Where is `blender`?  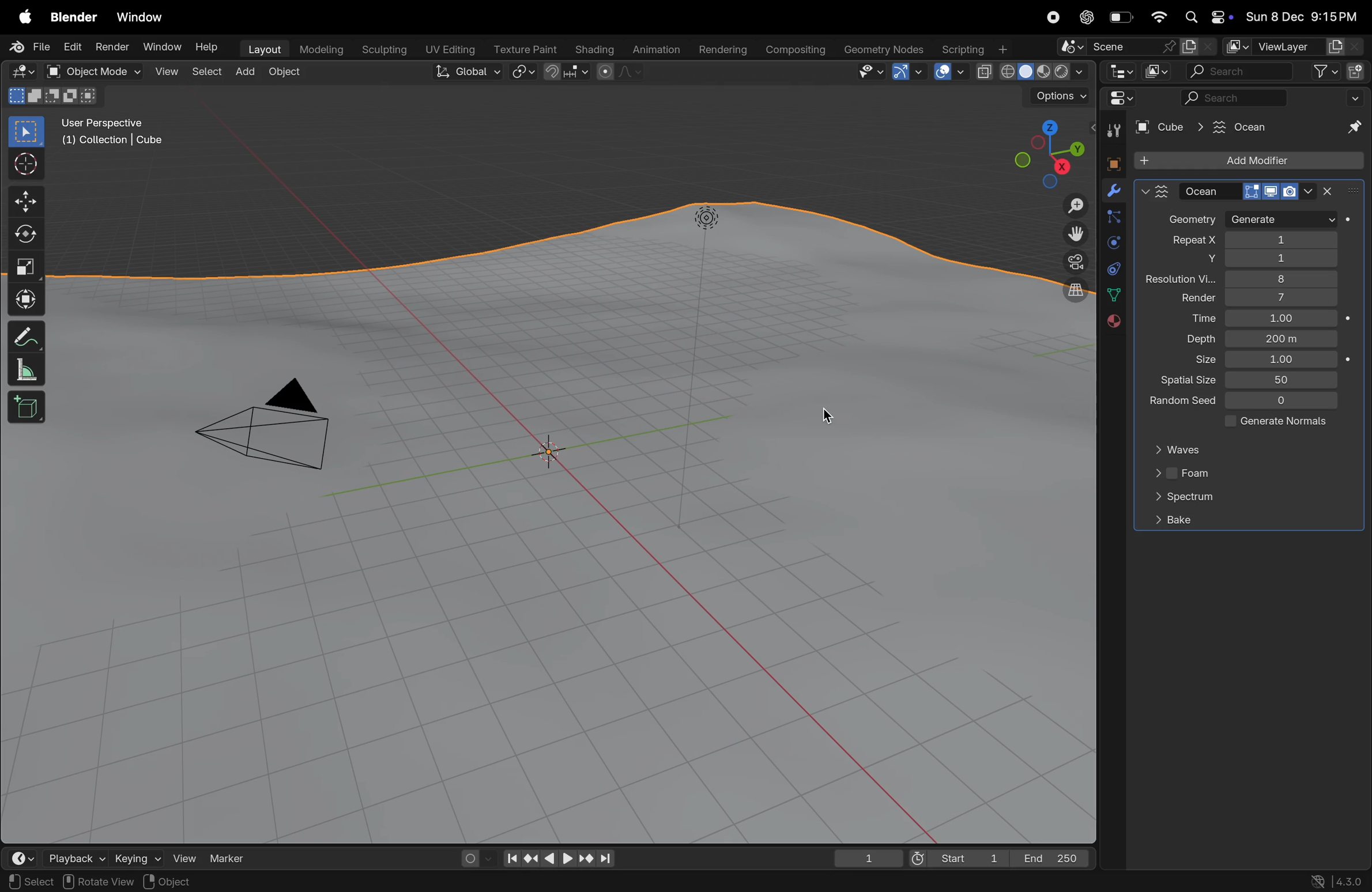
blender is located at coordinates (74, 17).